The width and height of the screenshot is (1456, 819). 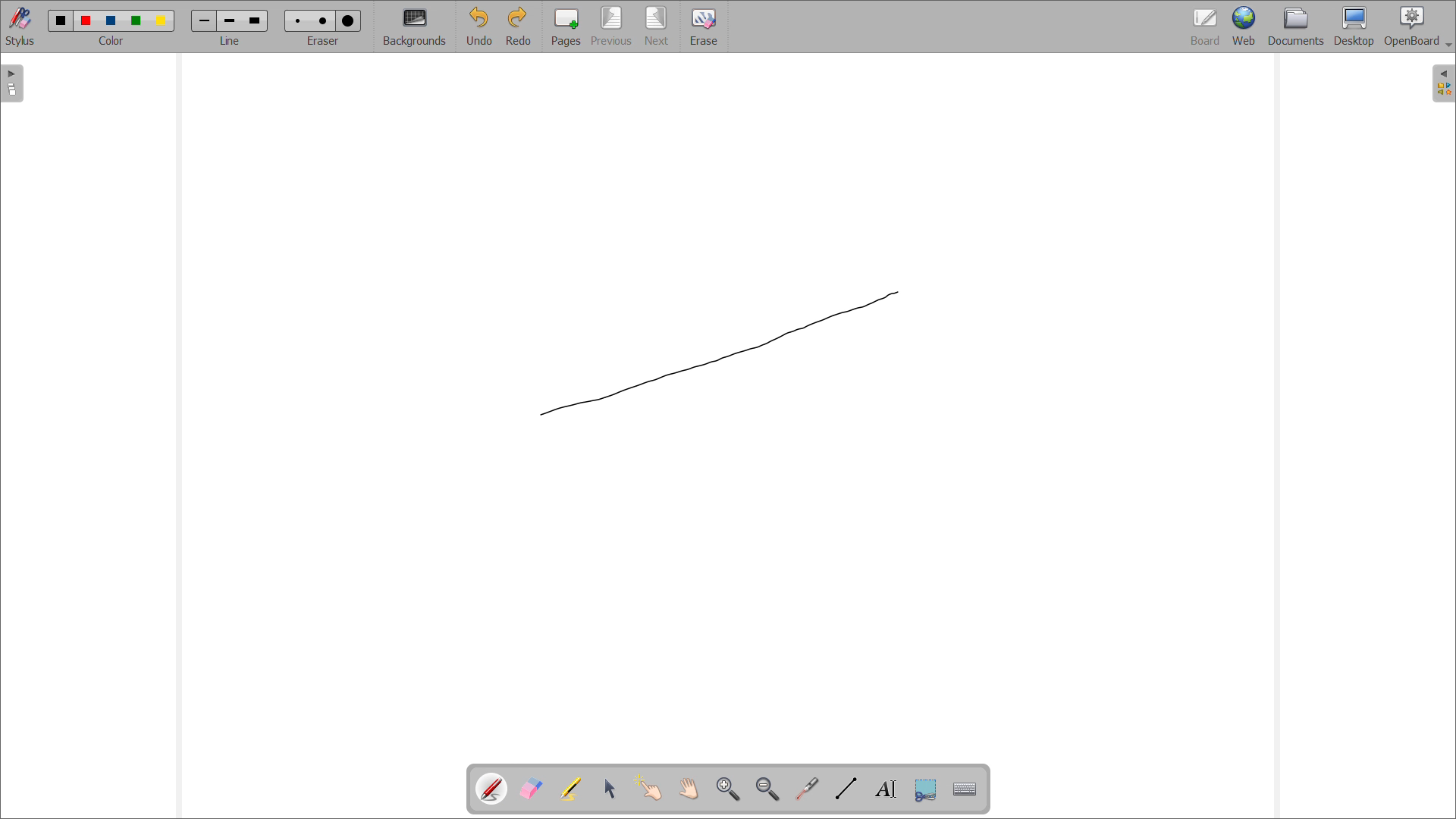 I want to click on redo, so click(x=519, y=26).